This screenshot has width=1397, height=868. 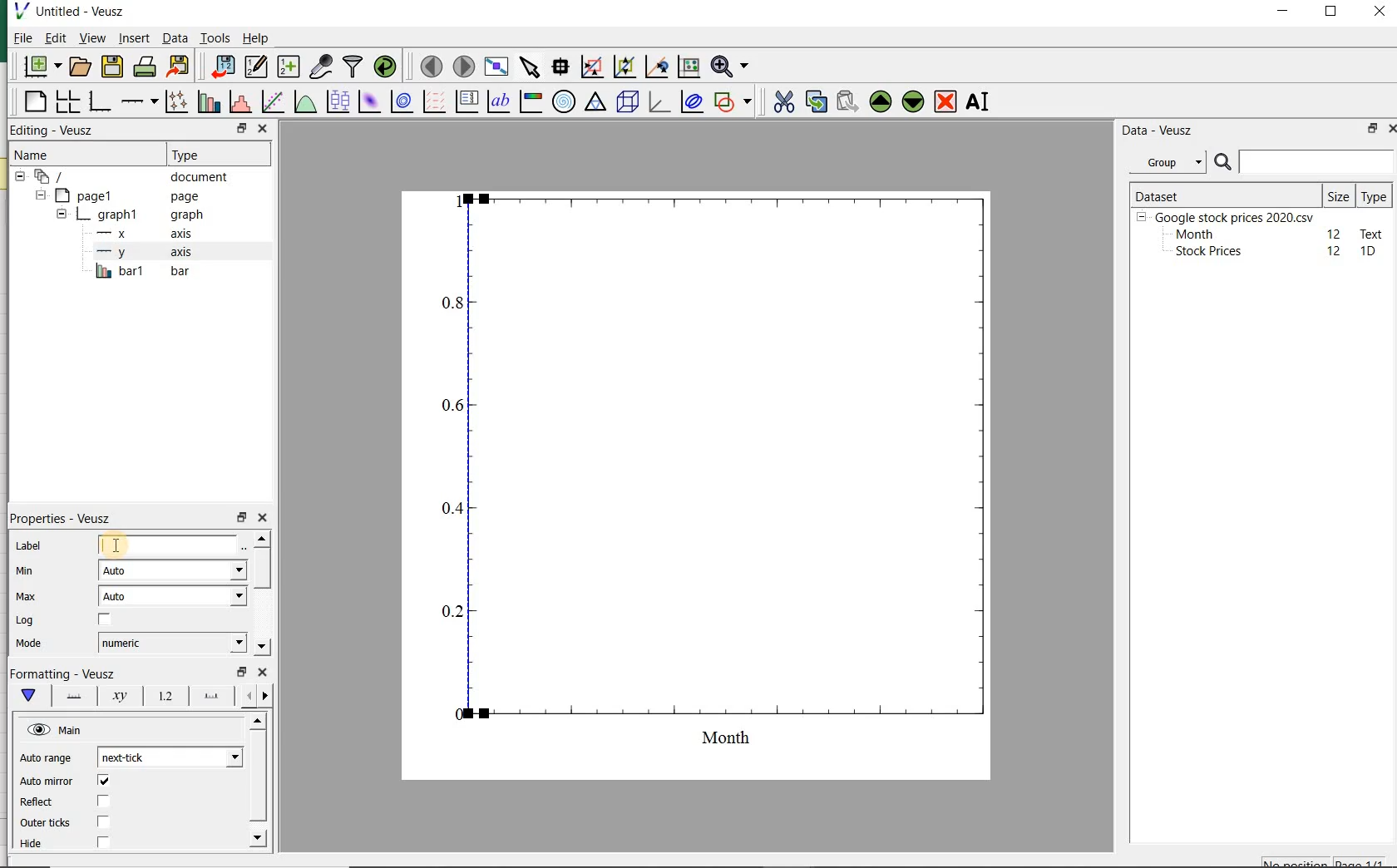 I want to click on Group datasets with property given, so click(x=1163, y=162).